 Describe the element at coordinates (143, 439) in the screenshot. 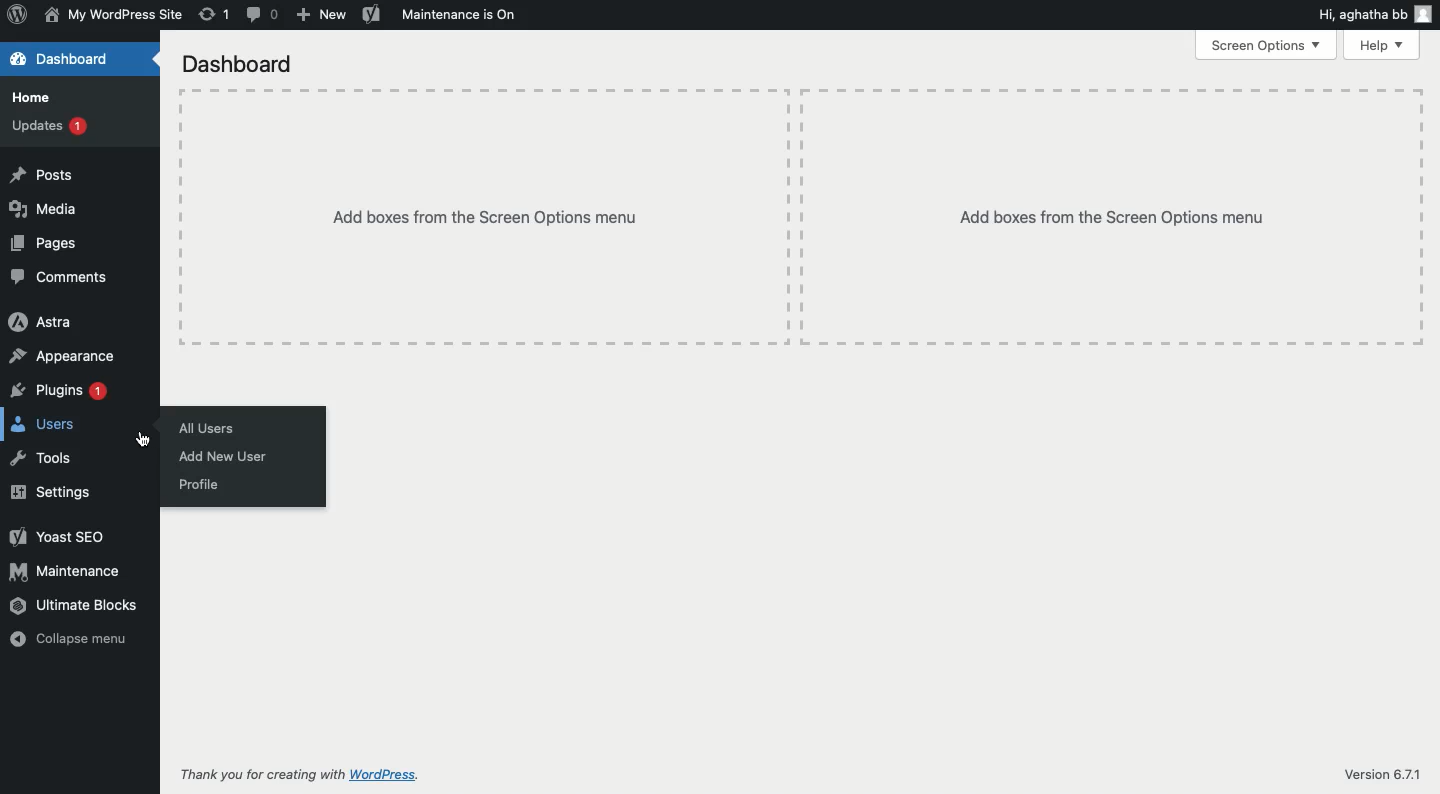

I see `cursor` at that location.